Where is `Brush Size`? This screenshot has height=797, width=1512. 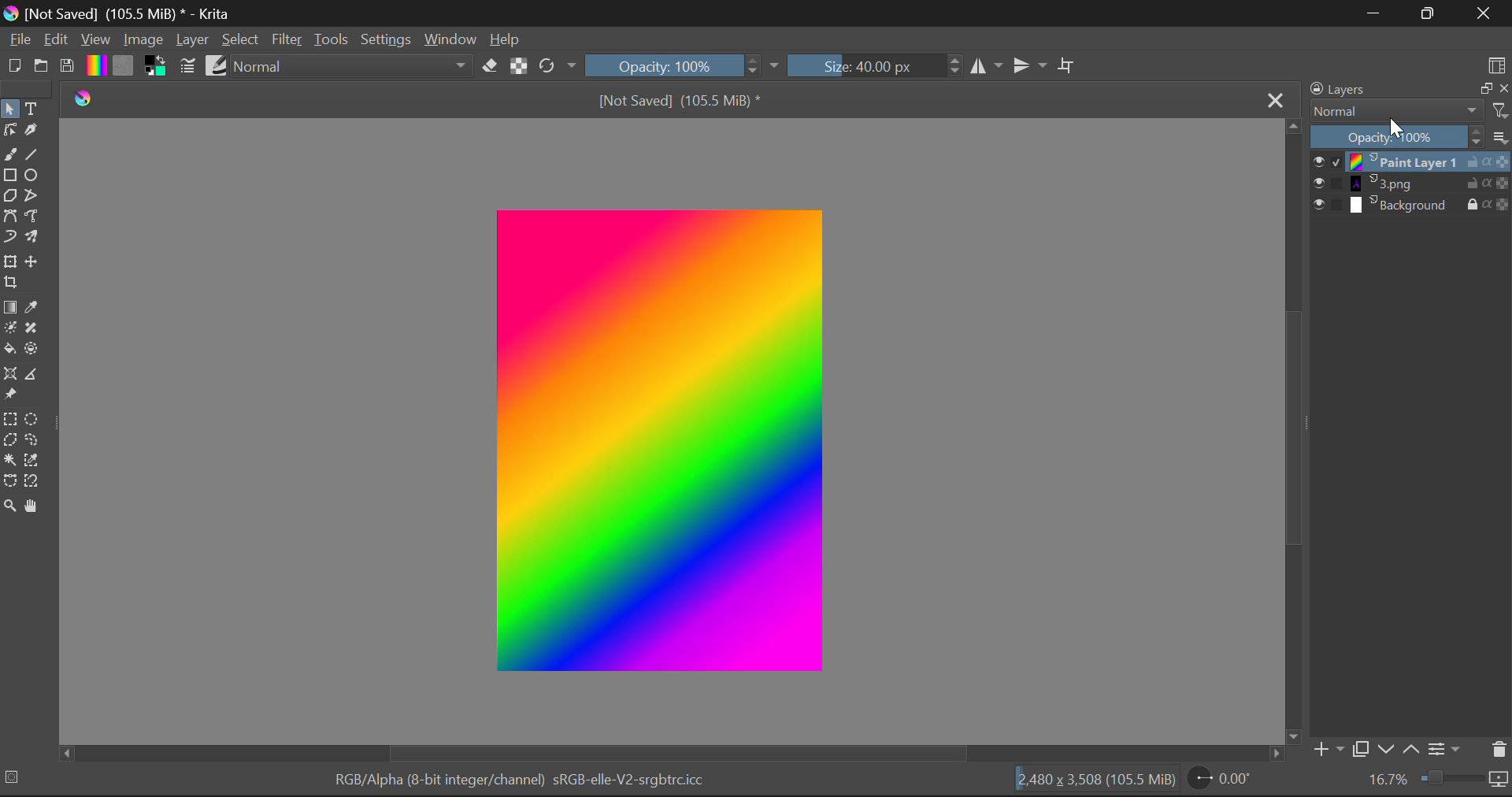
Brush Size is located at coordinates (863, 67).